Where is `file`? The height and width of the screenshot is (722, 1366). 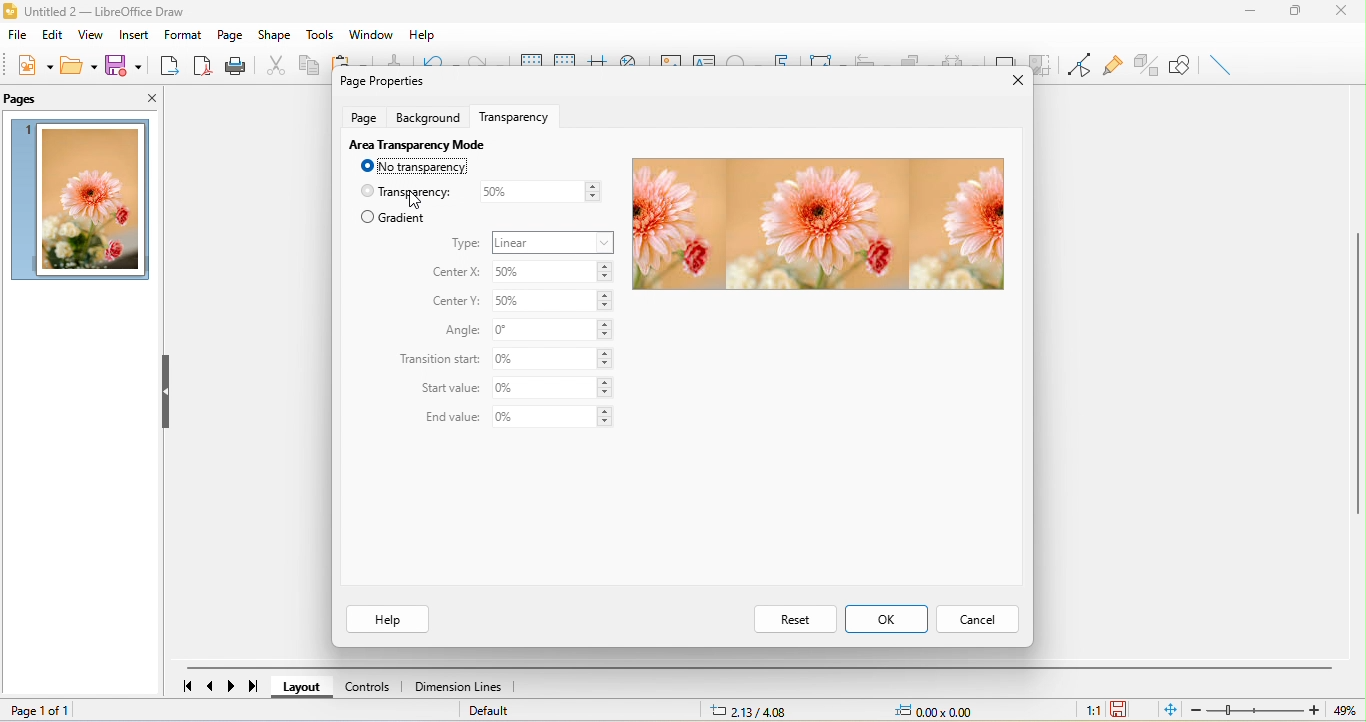
file is located at coordinates (19, 35).